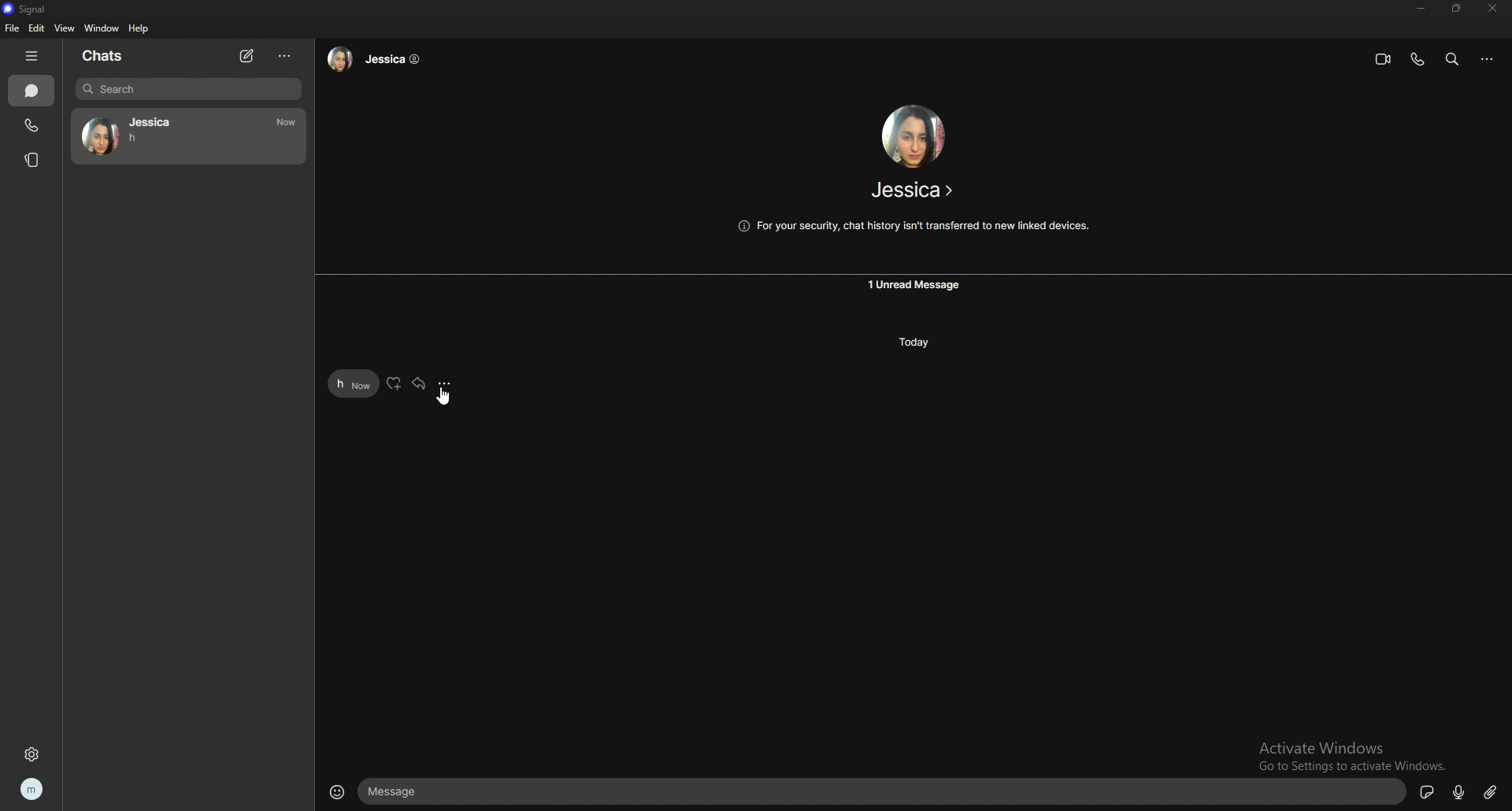  What do you see at coordinates (1459, 791) in the screenshot?
I see `mic` at bounding box center [1459, 791].